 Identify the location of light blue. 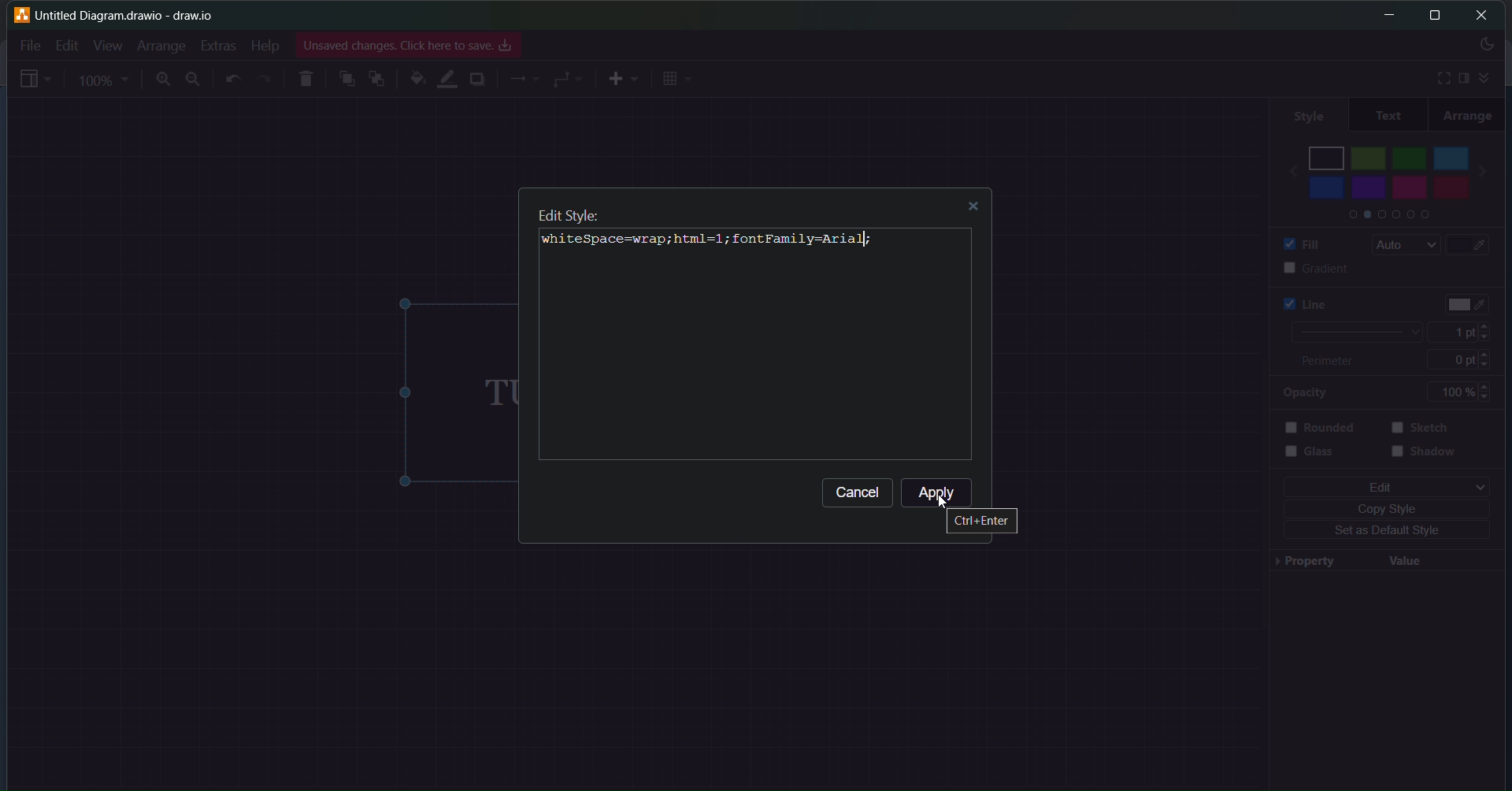
(1452, 155).